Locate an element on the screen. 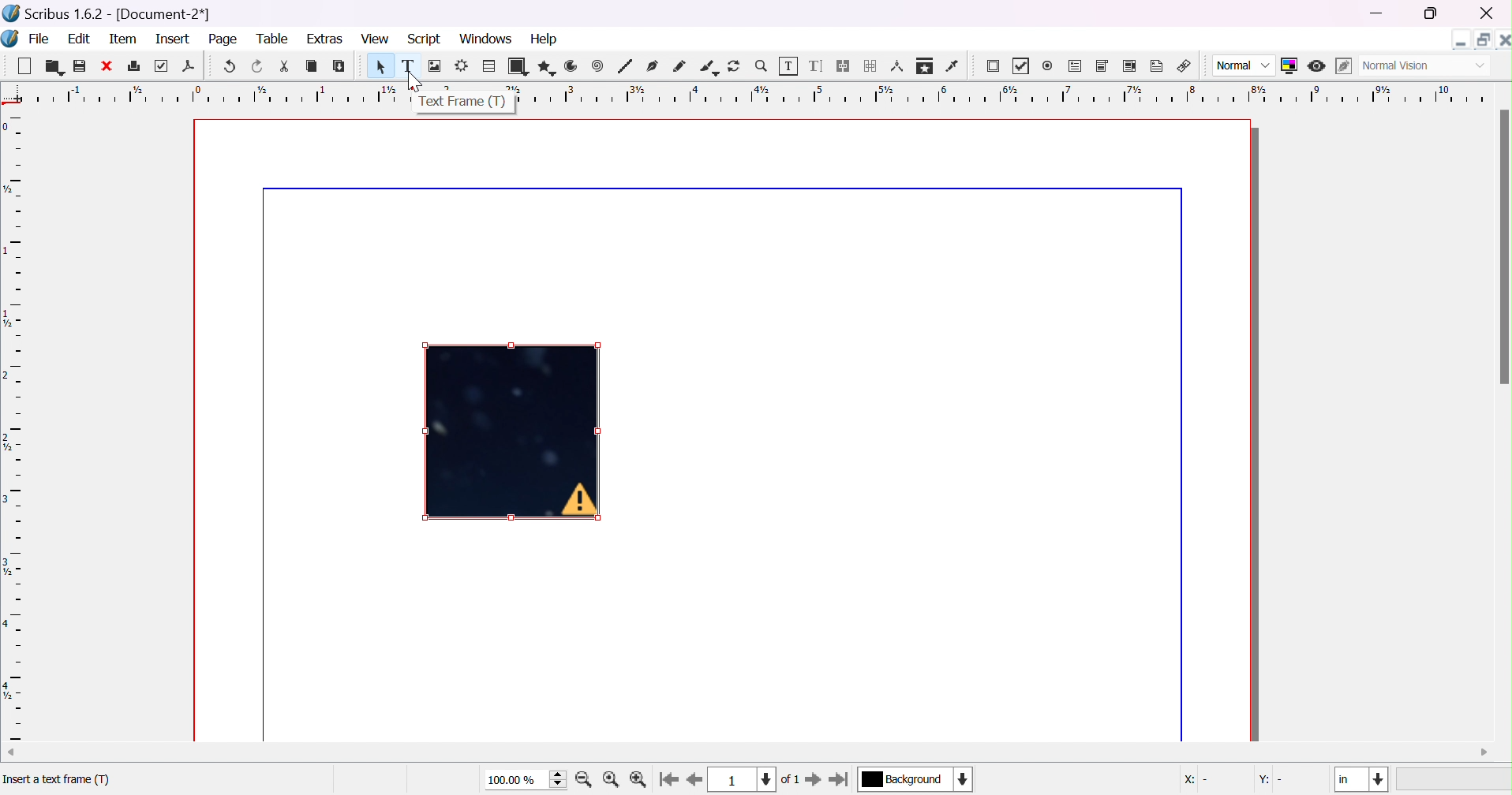 This screenshot has width=1512, height=795. zoom in is located at coordinates (584, 780).